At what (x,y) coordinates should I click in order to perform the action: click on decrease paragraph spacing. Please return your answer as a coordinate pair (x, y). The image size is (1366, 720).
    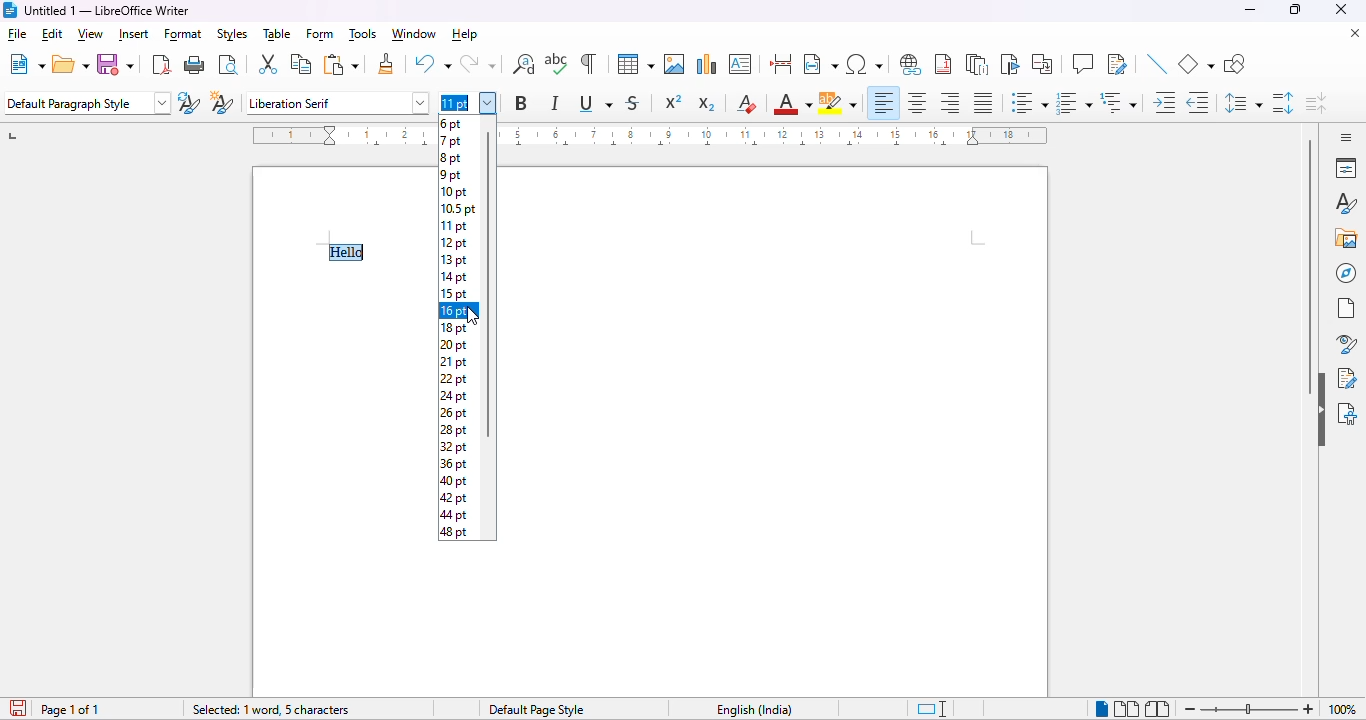
    Looking at the image, I should click on (1317, 103).